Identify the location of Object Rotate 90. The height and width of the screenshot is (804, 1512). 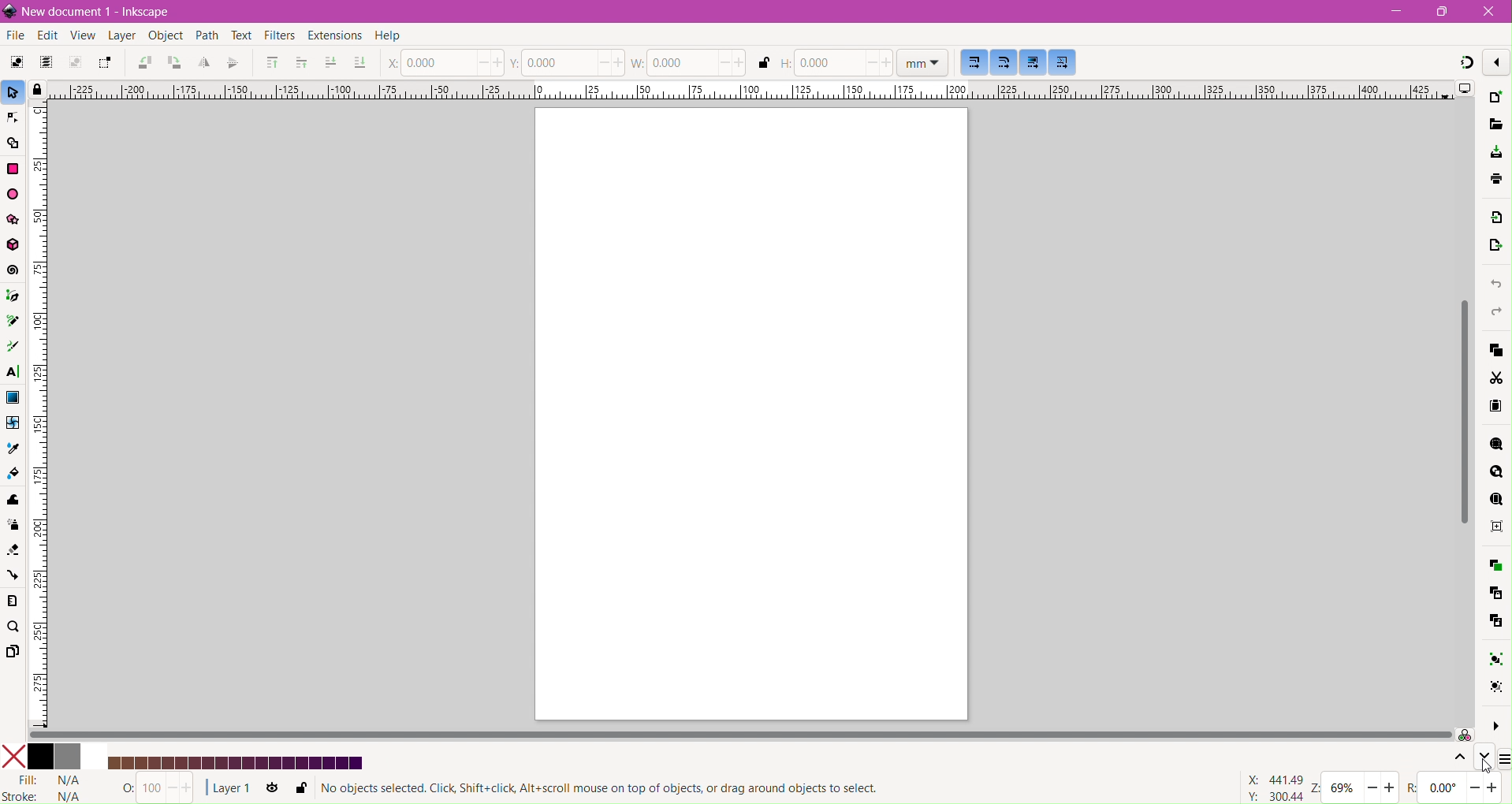
(173, 64).